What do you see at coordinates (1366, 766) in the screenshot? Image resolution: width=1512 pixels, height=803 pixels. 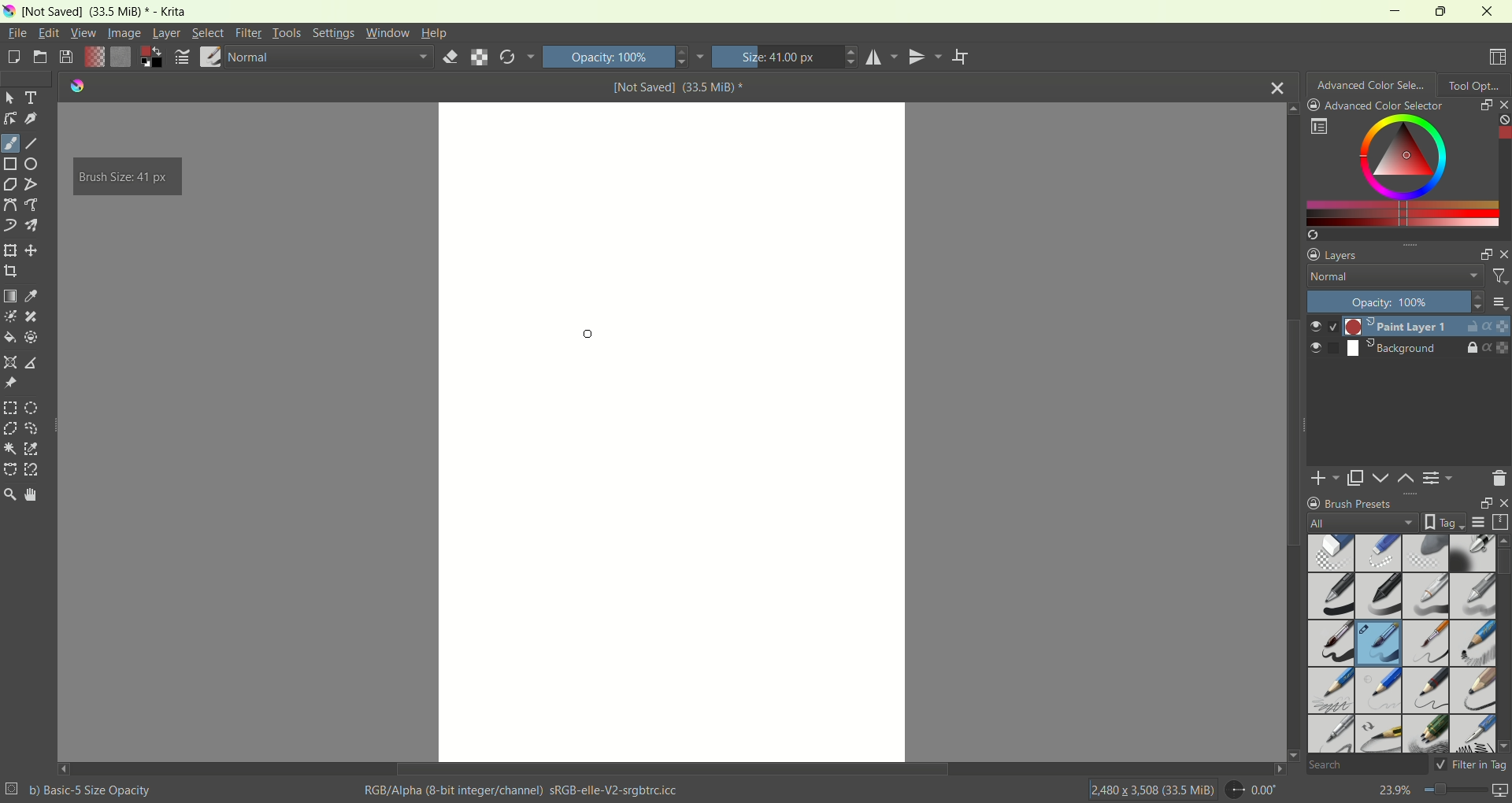 I see `search` at bounding box center [1366, 766].